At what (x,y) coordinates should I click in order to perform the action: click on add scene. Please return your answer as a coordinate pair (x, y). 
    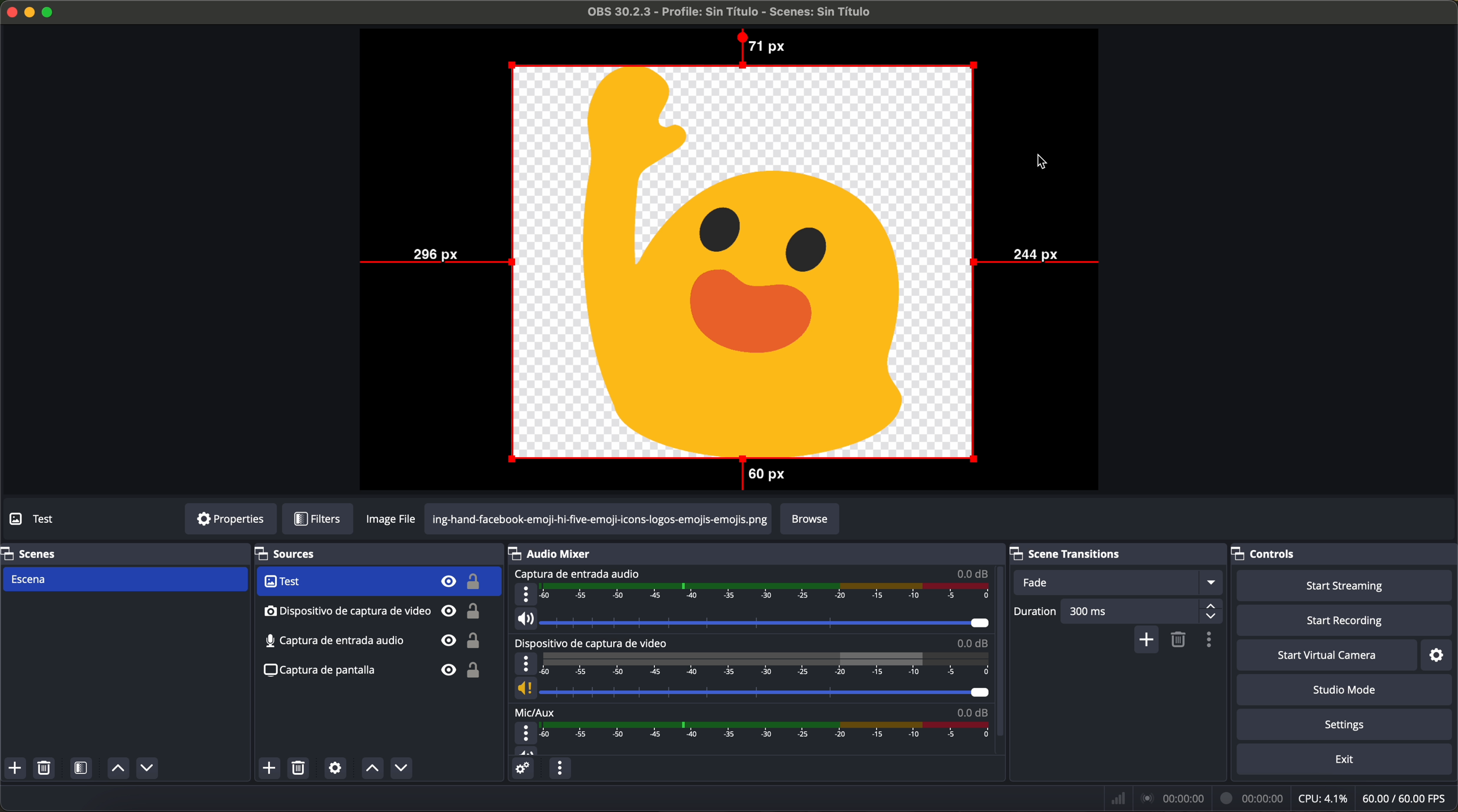
    Looking at the image, I should click on (15, 768).